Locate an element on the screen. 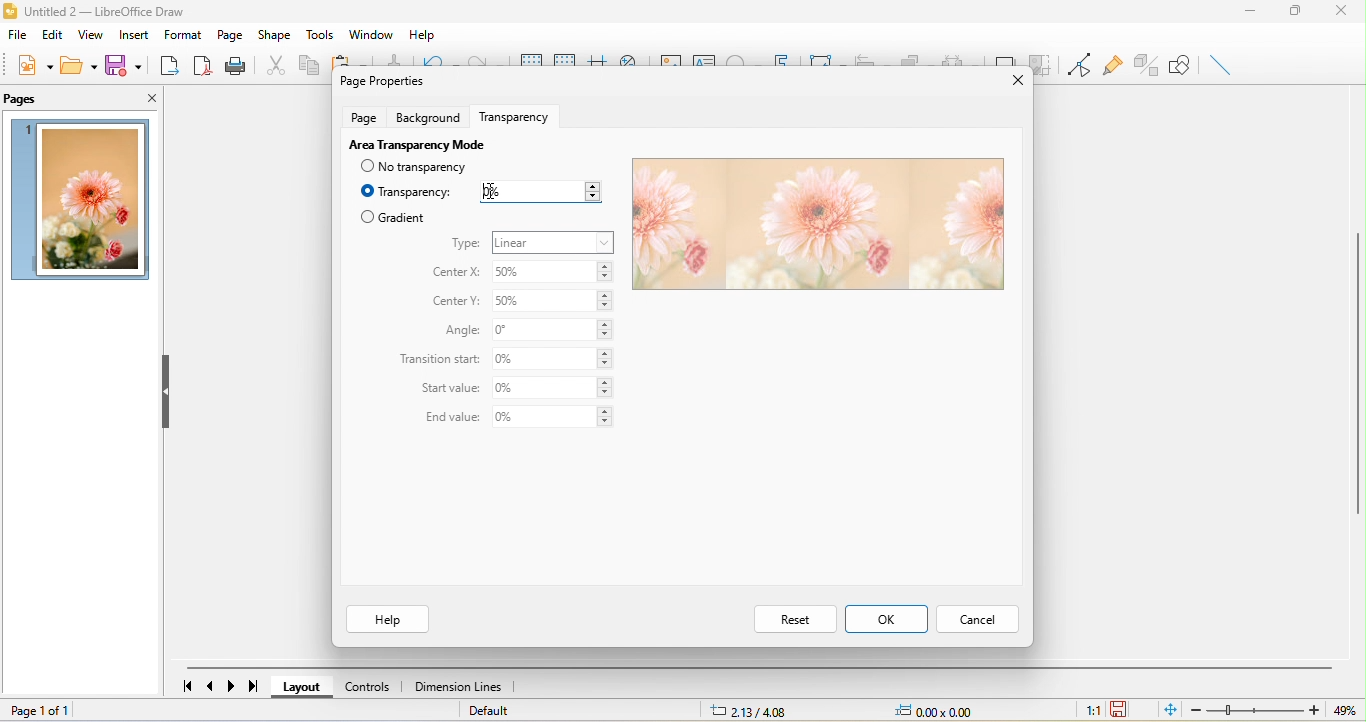 Image resolution: width=1366 pixels, height=722 pixels. fit to the current window is located at coordinates (1173, 710).